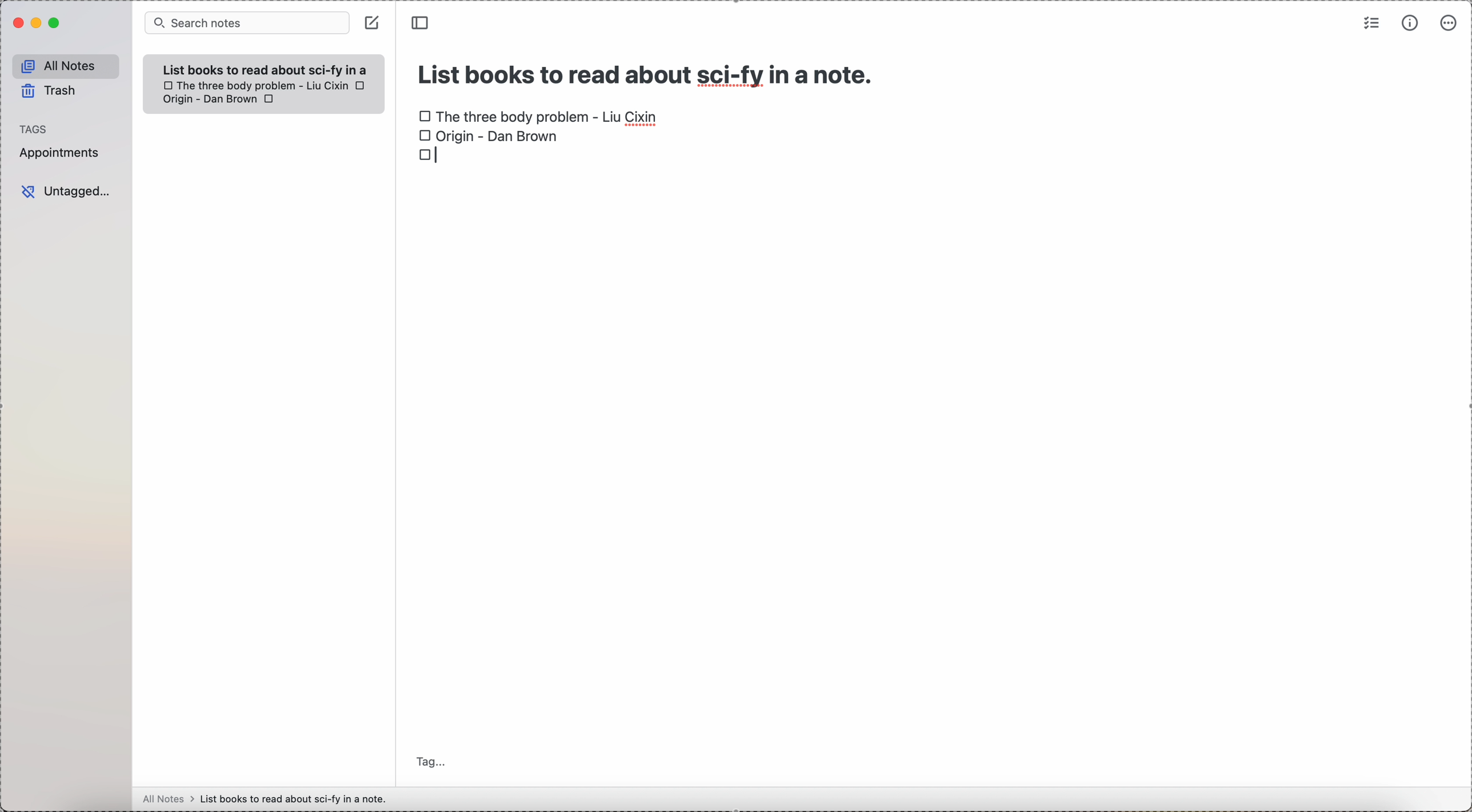 Image resolution: width=1472 pixels, height=812 pixels. I want to click on create note, so click(372, 23).